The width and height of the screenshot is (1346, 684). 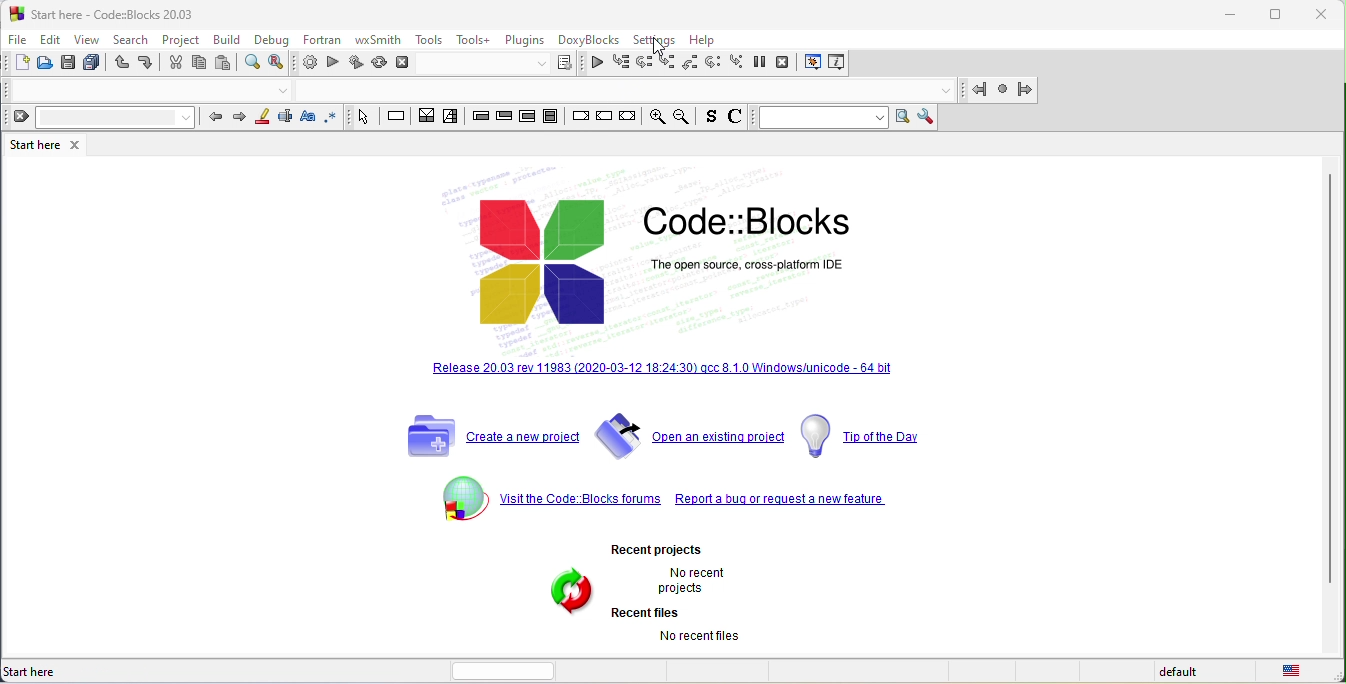 I want to click on exit, so click(x=505, y=117).